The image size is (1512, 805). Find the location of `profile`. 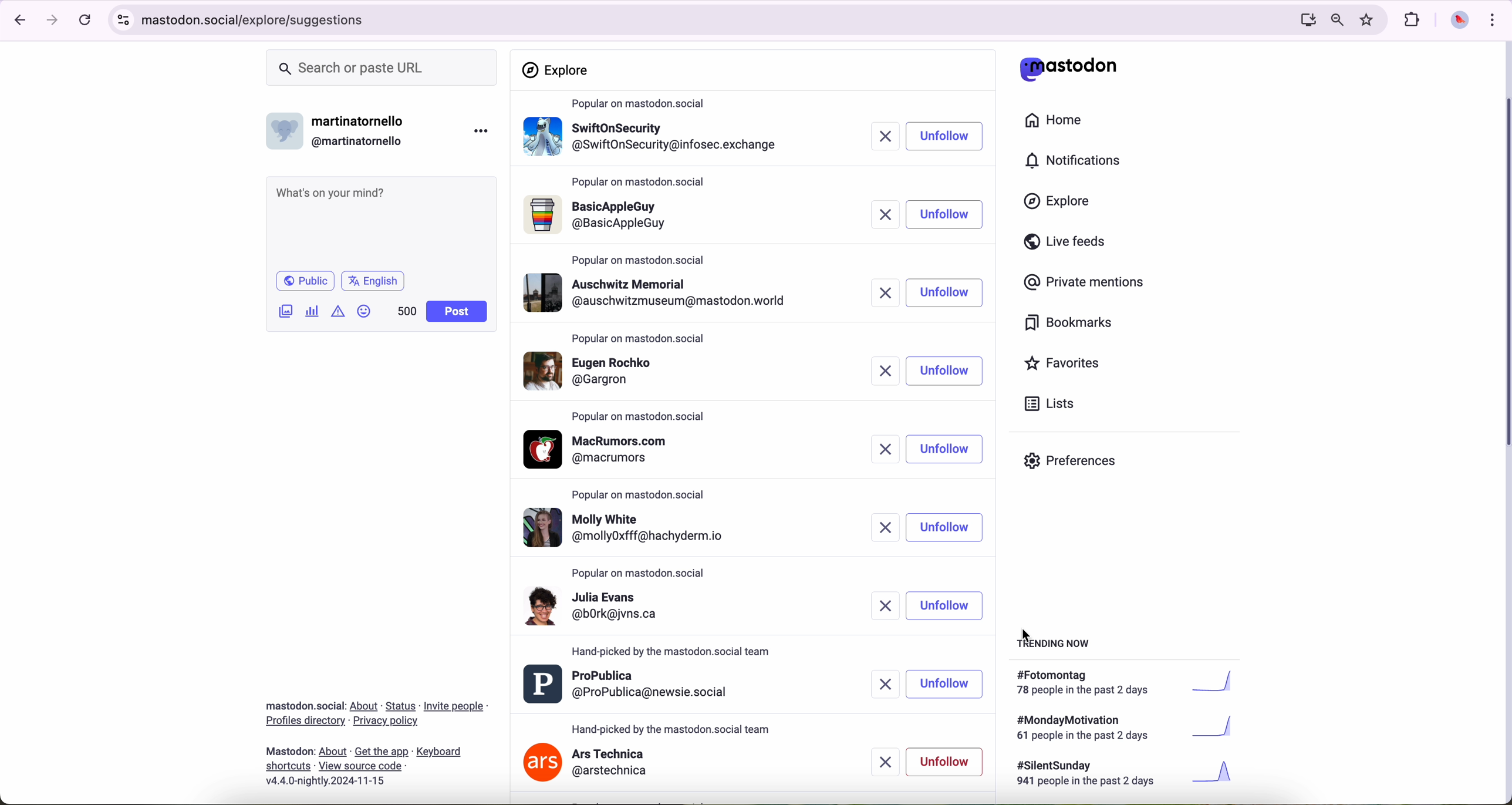

profile is located at coordinates (633, 612).